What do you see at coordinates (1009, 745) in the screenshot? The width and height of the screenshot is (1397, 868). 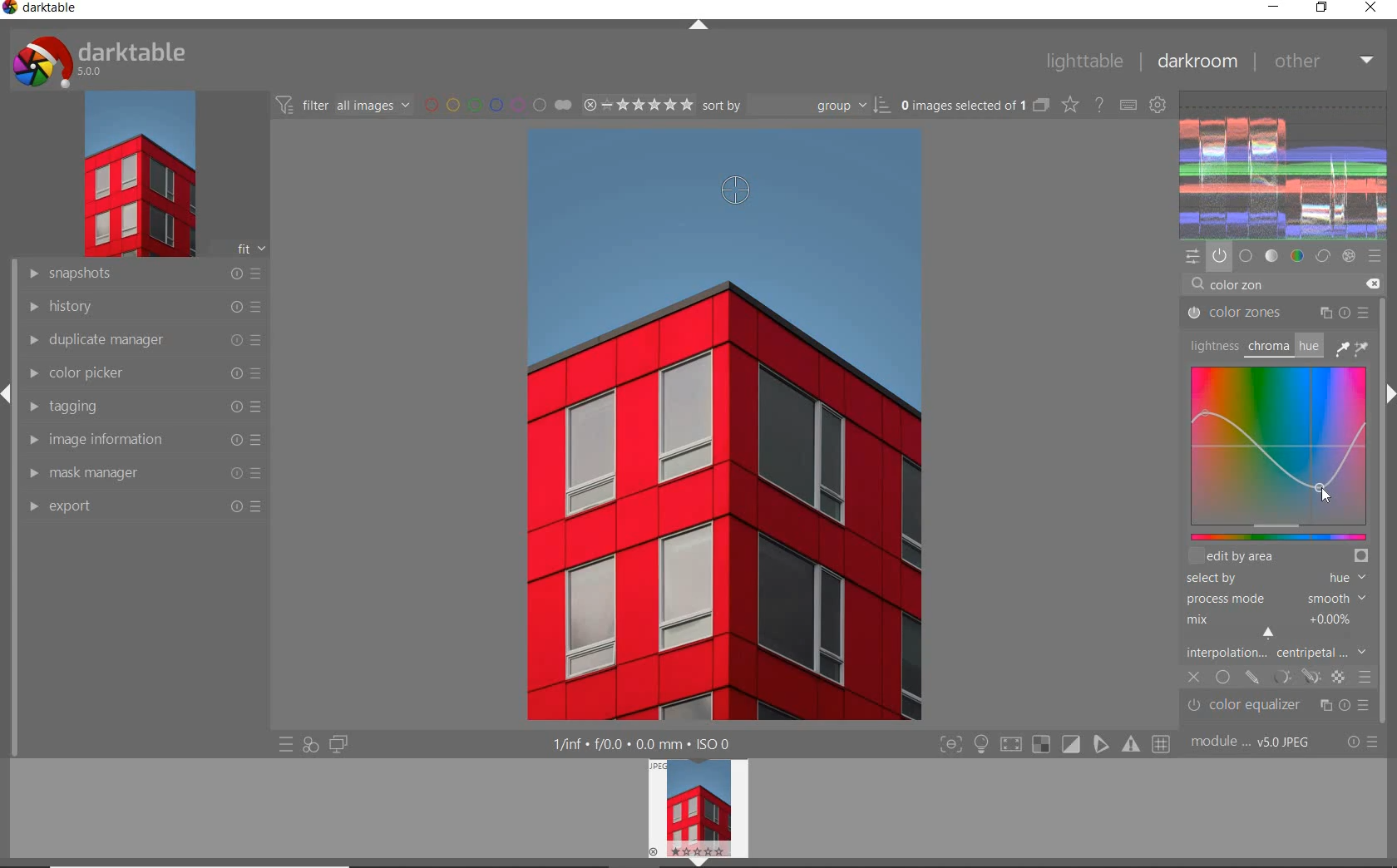 I see `shadow` at bounding box center [1009, 745].